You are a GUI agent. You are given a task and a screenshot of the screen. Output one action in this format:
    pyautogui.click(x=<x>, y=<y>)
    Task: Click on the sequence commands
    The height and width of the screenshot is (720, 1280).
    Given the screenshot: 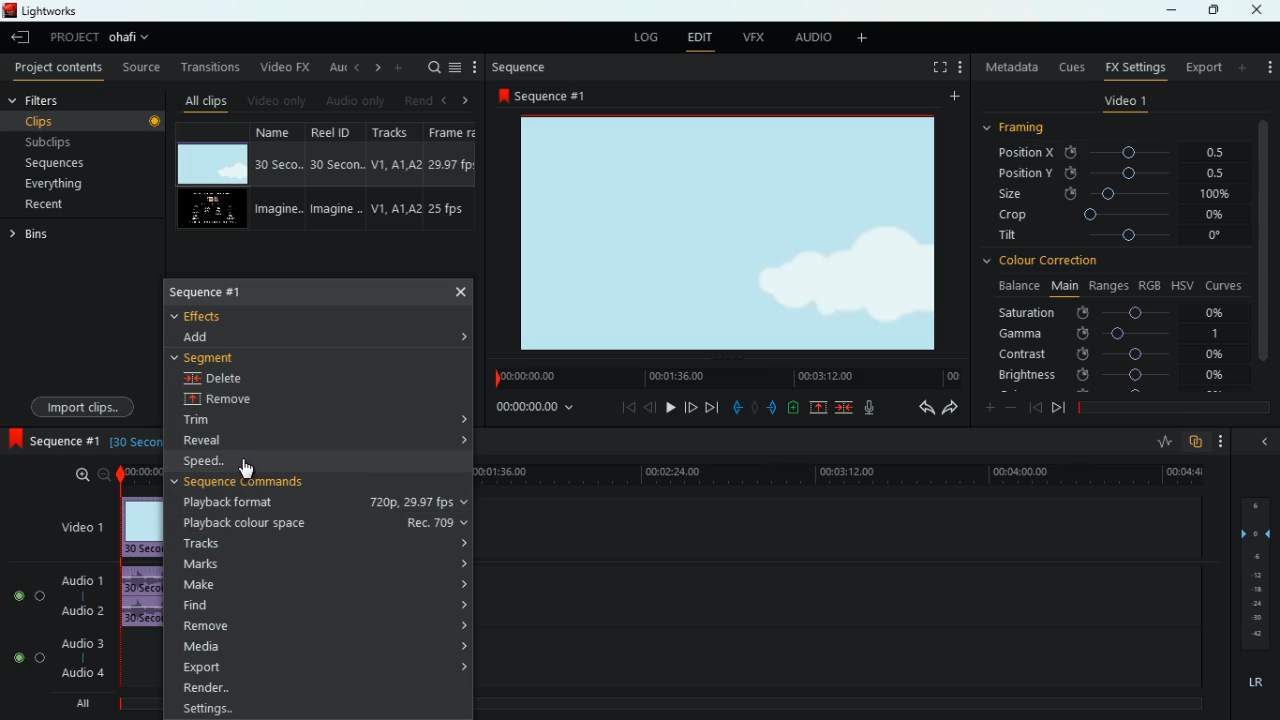 What is the action you would take?
    pyautogui.click(x=252, y=481)
    